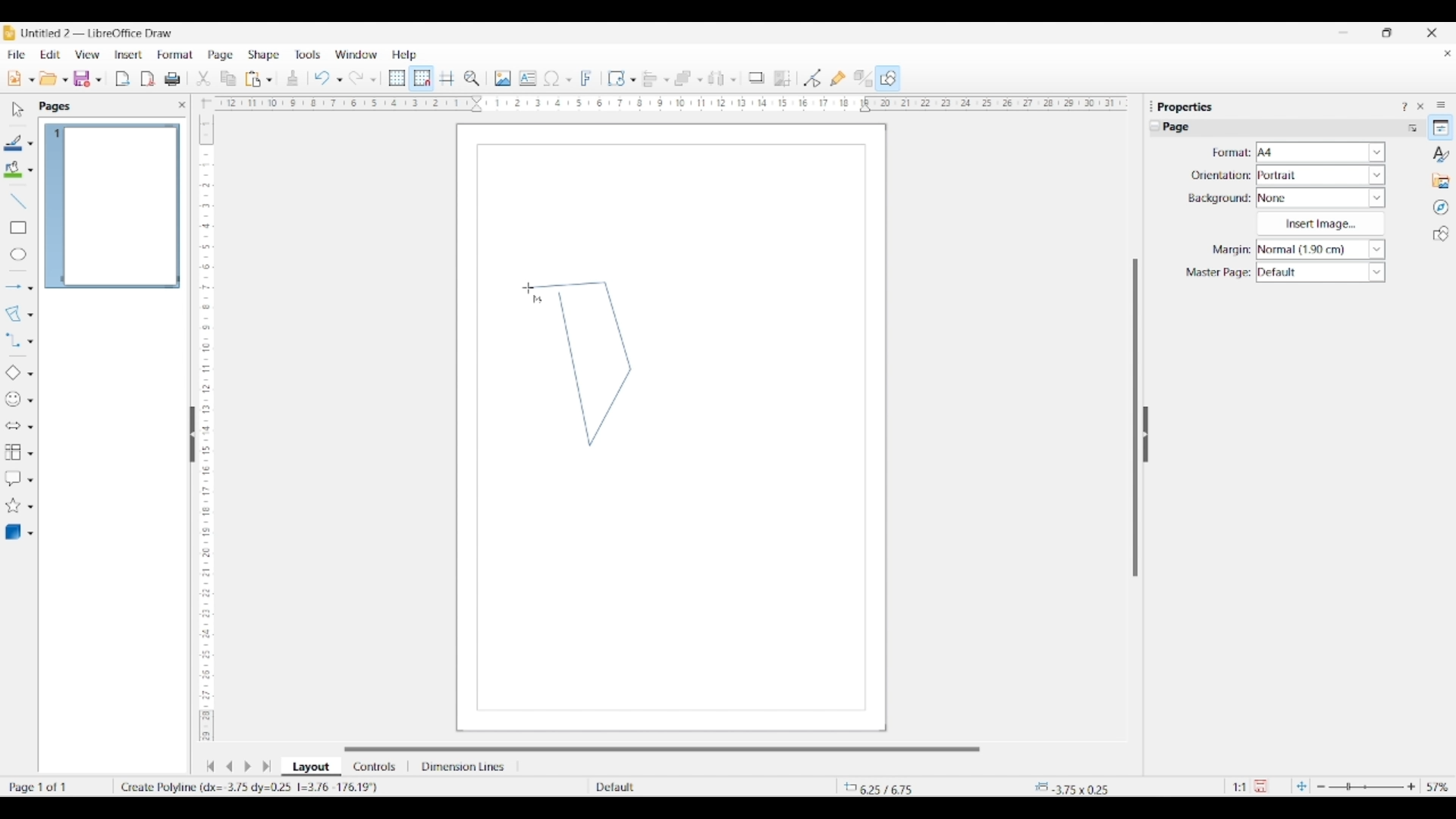 The width and height of the screenshot is (1456, 819). What do you see at coordinates (253, 79) in the screenshot?
I see `Selected paste options` at bounding box center [253, 79].